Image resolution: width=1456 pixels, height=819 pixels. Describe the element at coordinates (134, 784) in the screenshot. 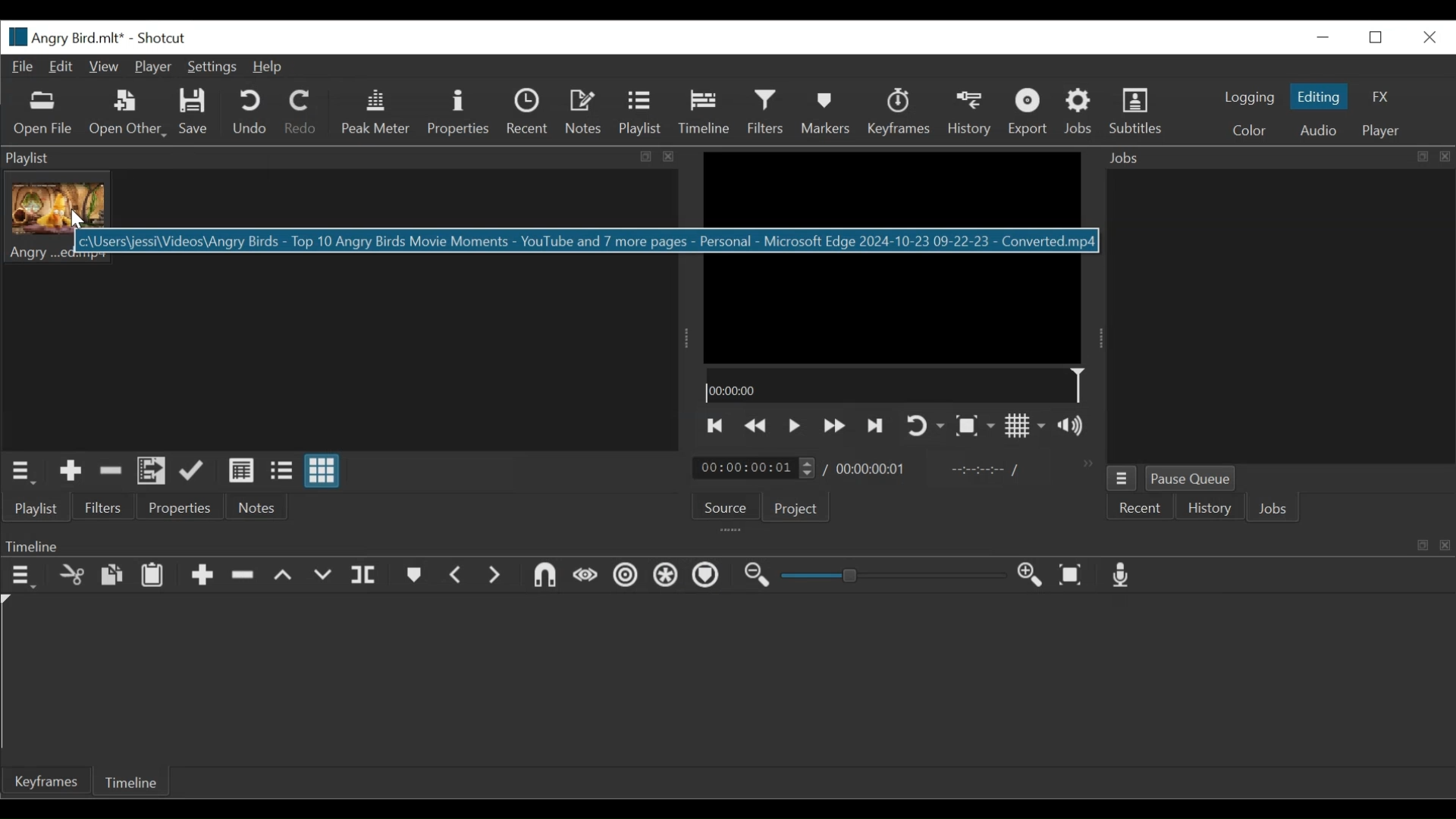

I see `Timeline` at that location.